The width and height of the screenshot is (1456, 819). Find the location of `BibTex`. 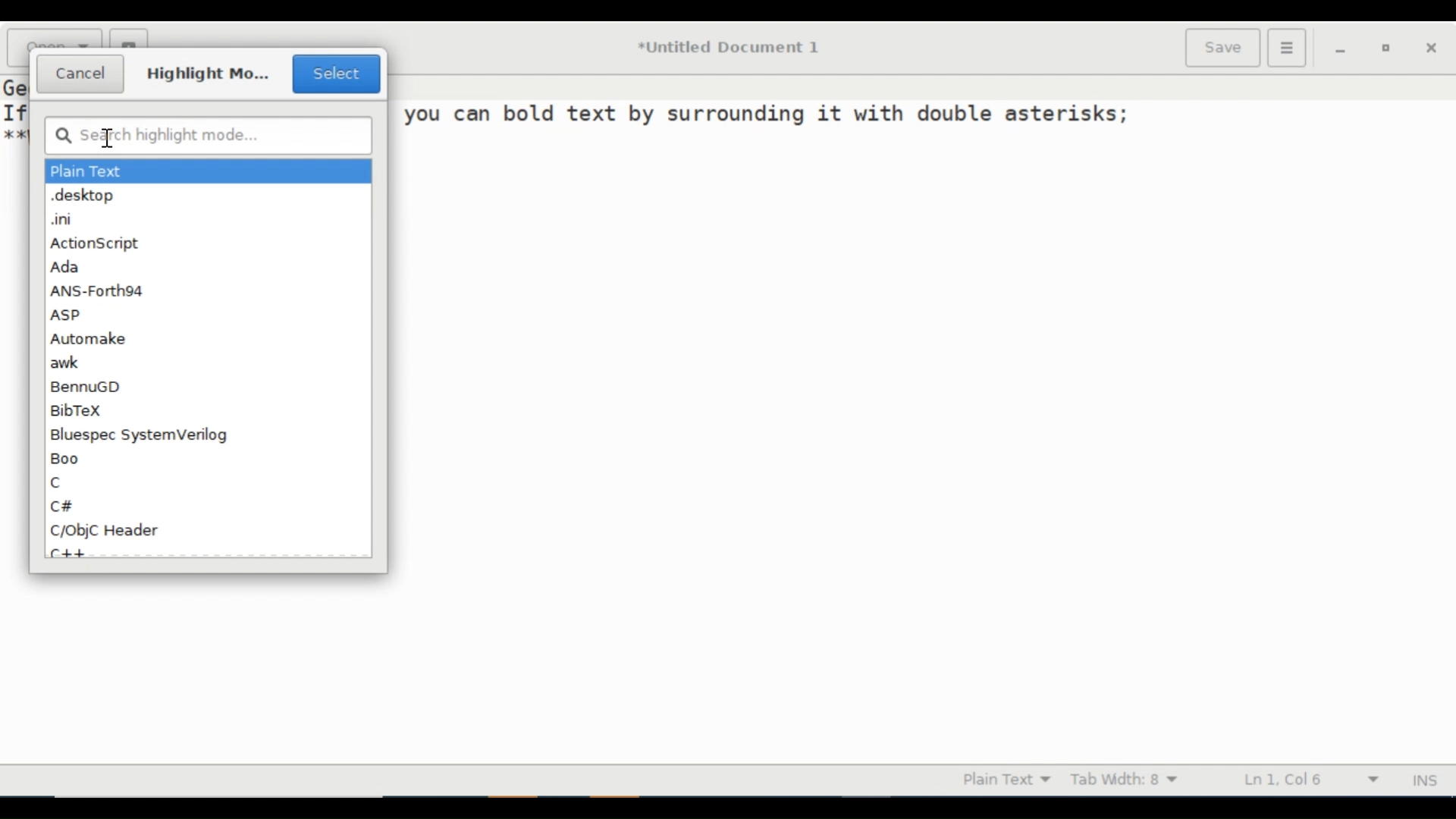

BibTex is located at coordinates (80, 409).